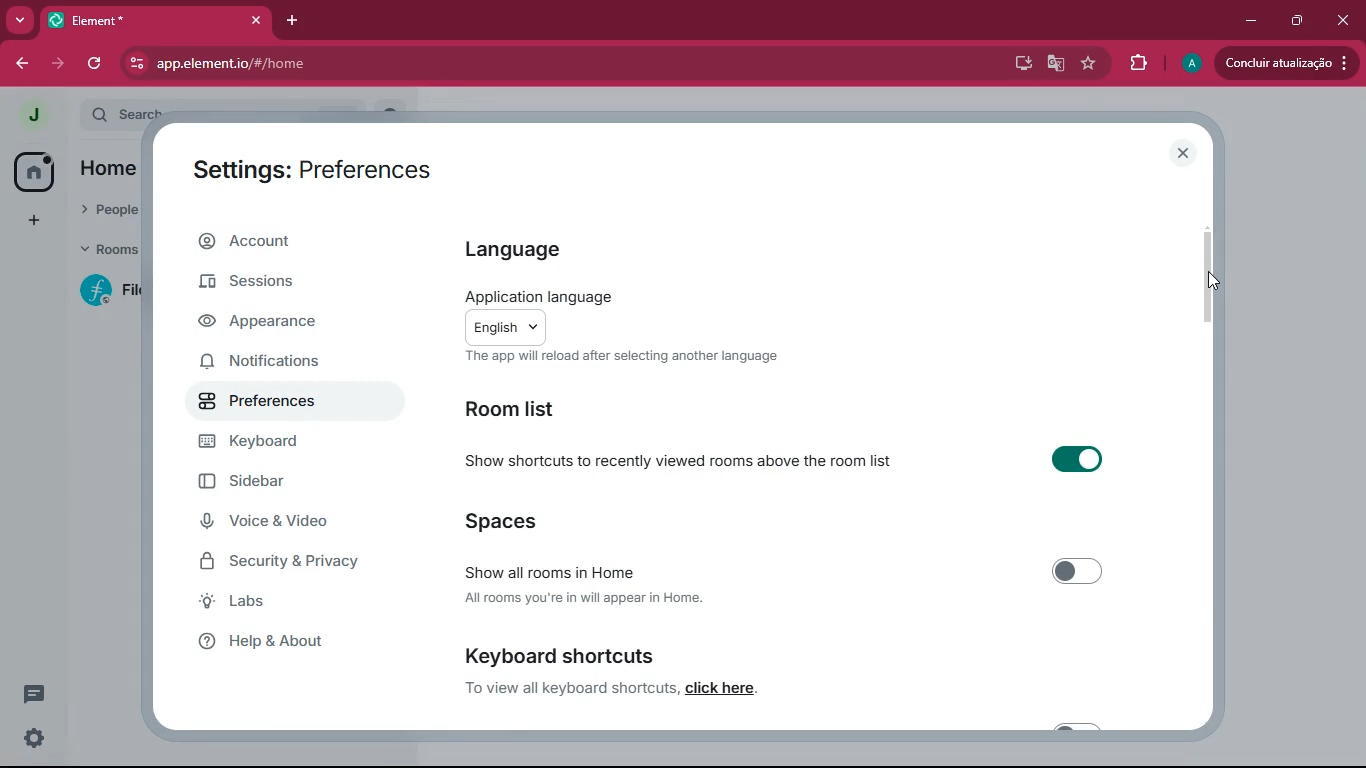 The image size is (1366, 768). Describe the element at coordinates (565, 687) in the screenshot. I see `To view all keyboard shortcuts` at that location.